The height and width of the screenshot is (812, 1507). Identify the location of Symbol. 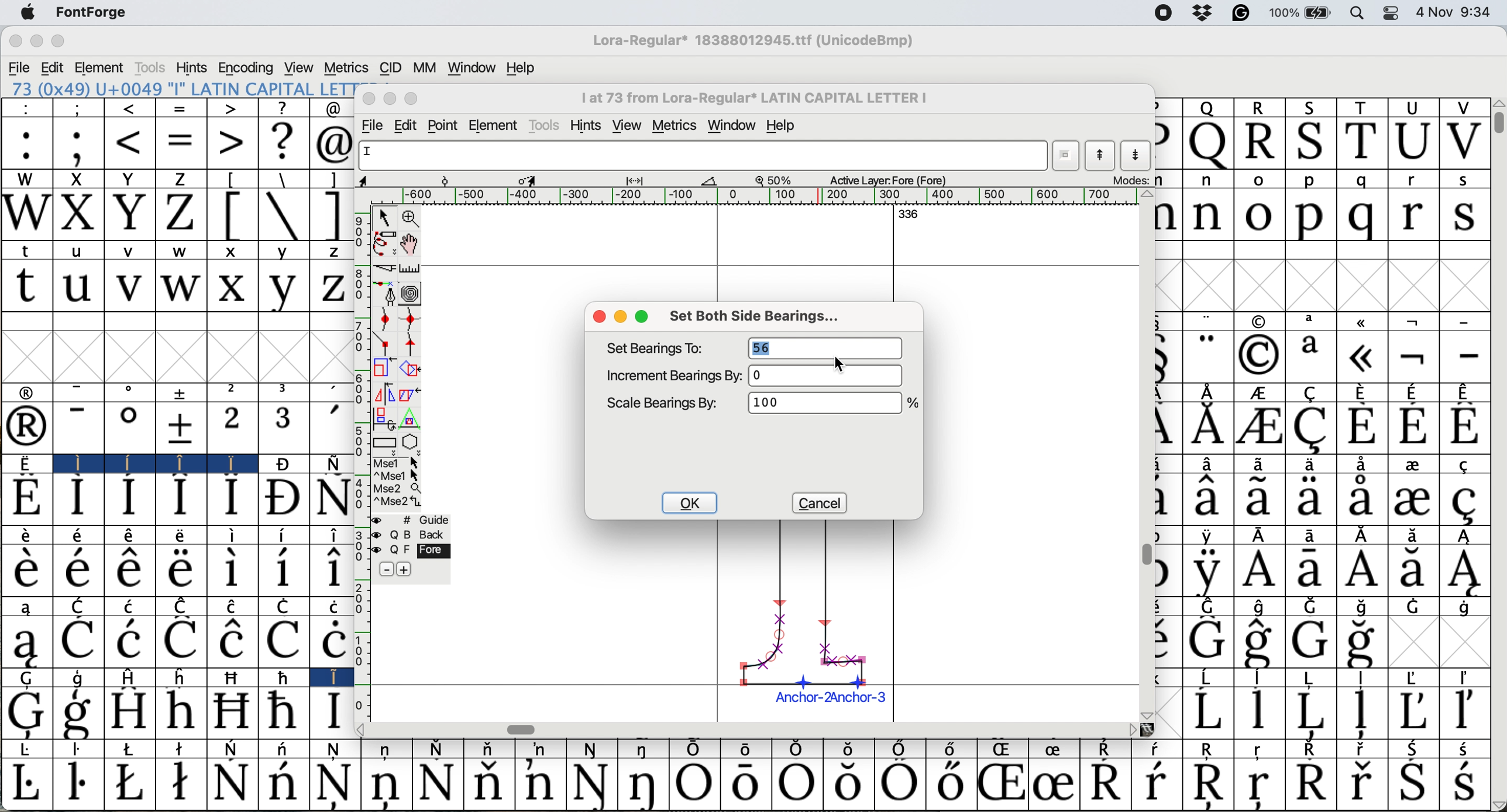
(1363, 464).